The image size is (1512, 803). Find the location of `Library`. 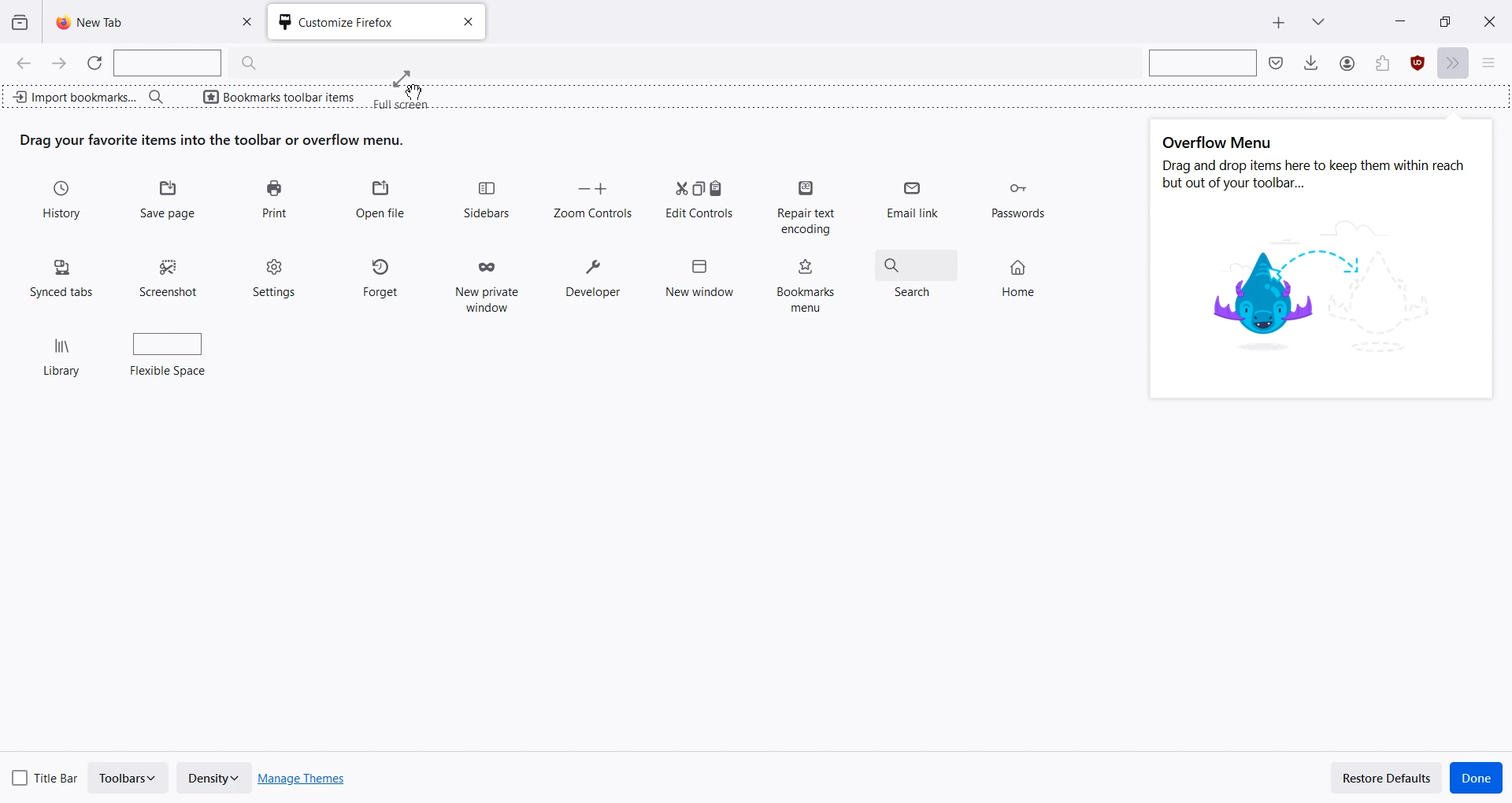

Library is located at coordinates (65, 350).